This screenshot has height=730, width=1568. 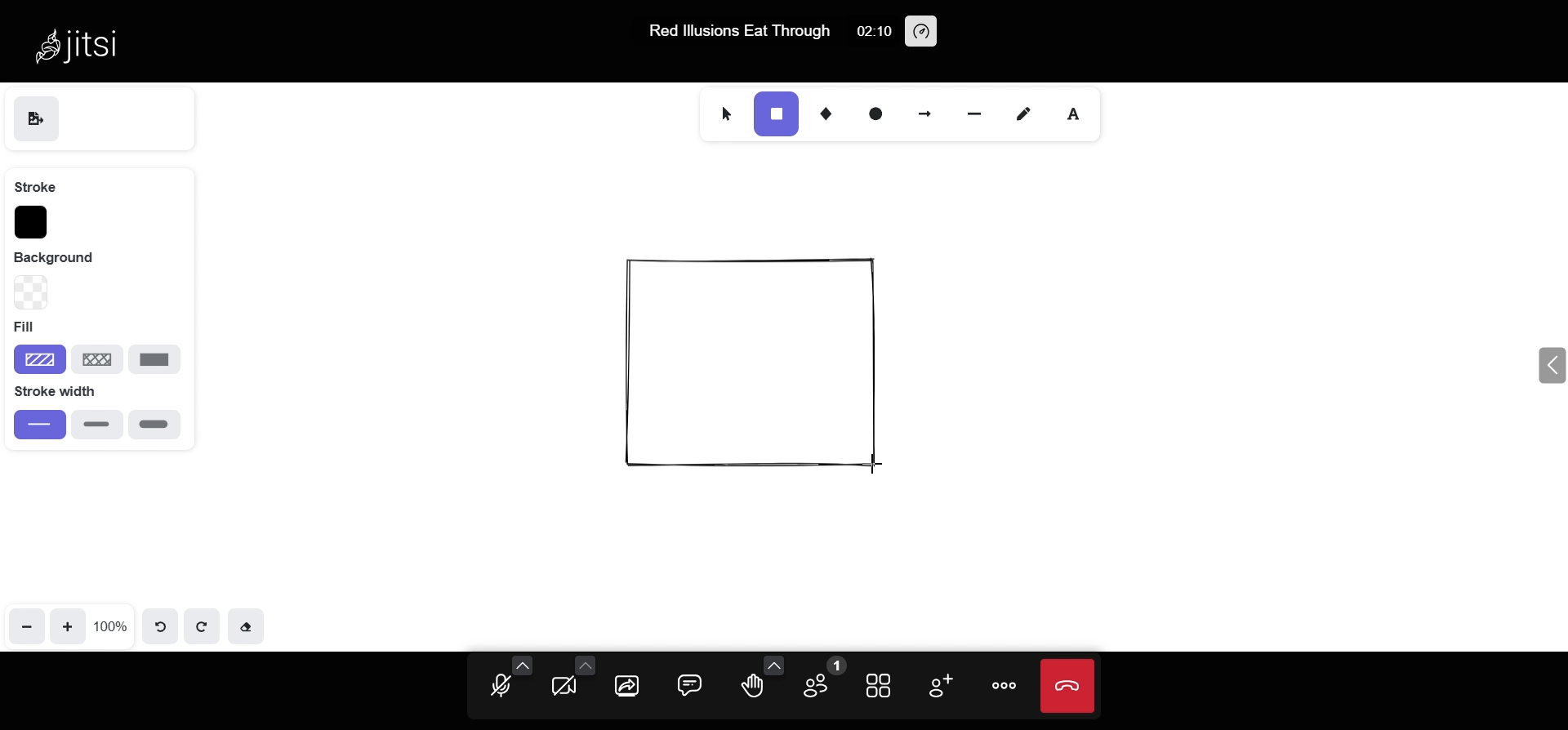 I want to click on object, so click(x=754, y=363).